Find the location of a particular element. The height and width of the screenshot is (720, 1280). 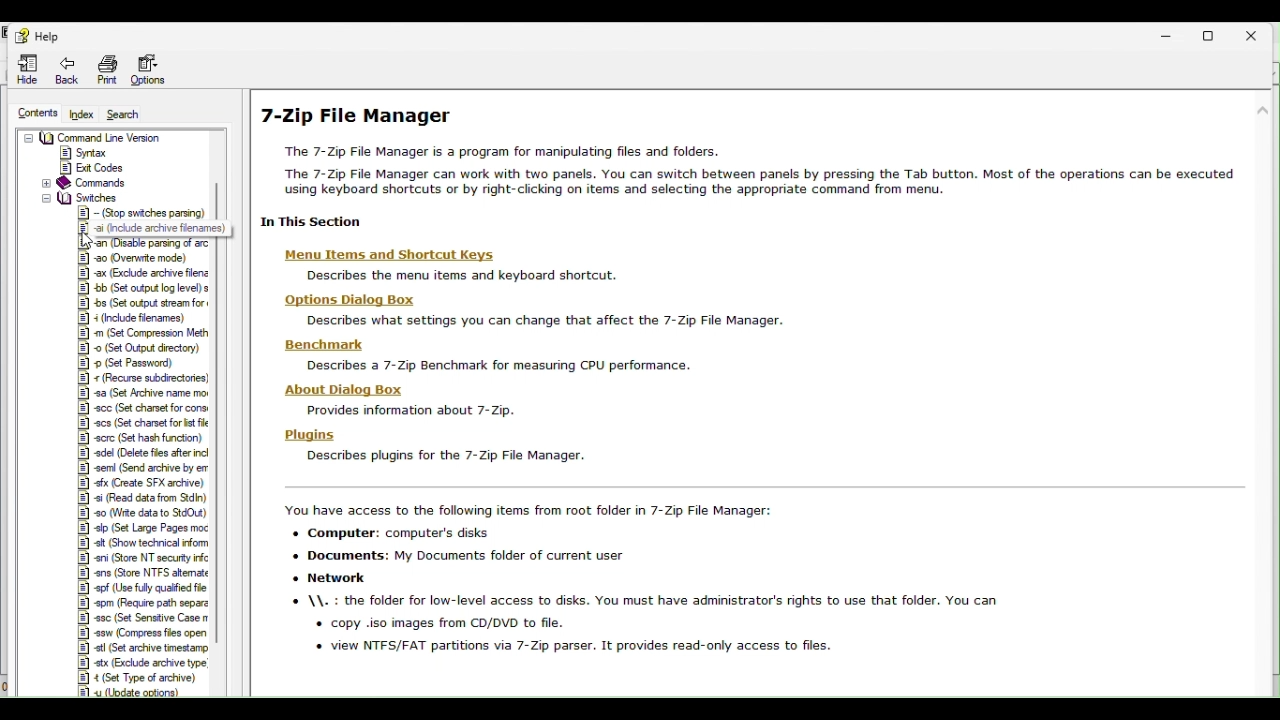

Describes the menu items and keyboard shortcut. is located at coordinates (461, 277).